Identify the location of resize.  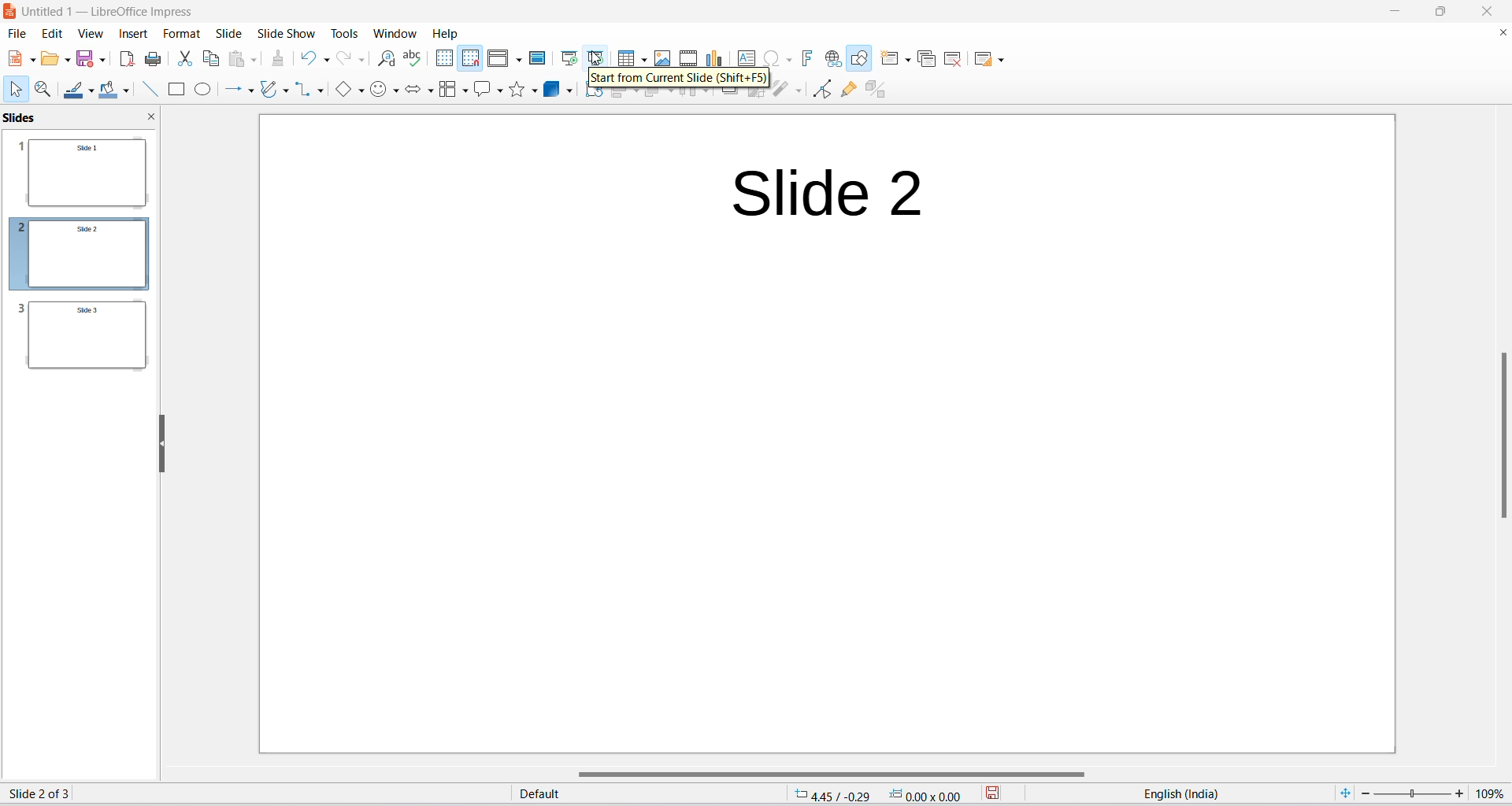
(164, 445).